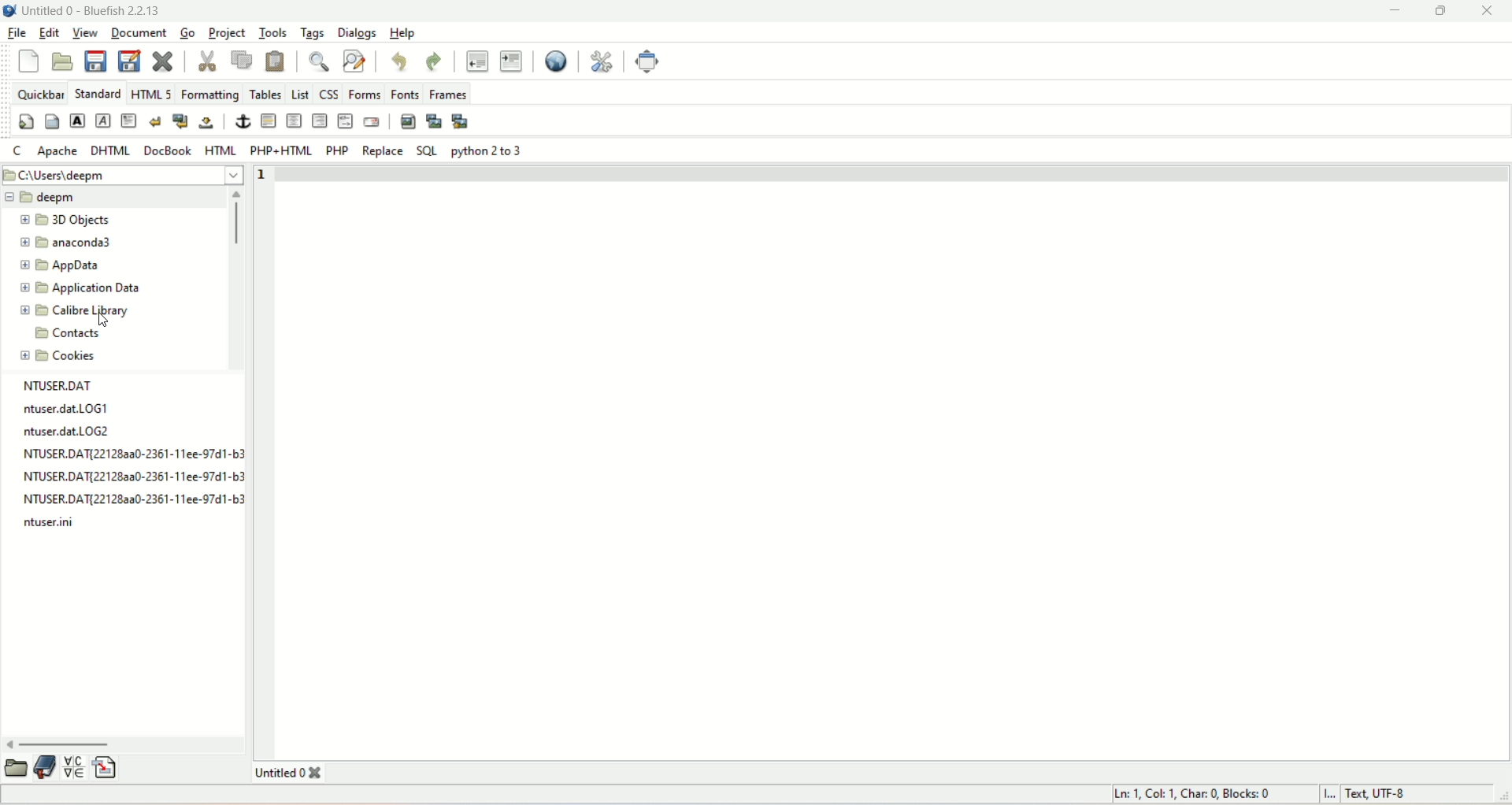 This screenshot has height=805, width=1512. What do you see at coordinates (17, 767) in the screenshot?
I see `open` at bounding box center [17, 767].